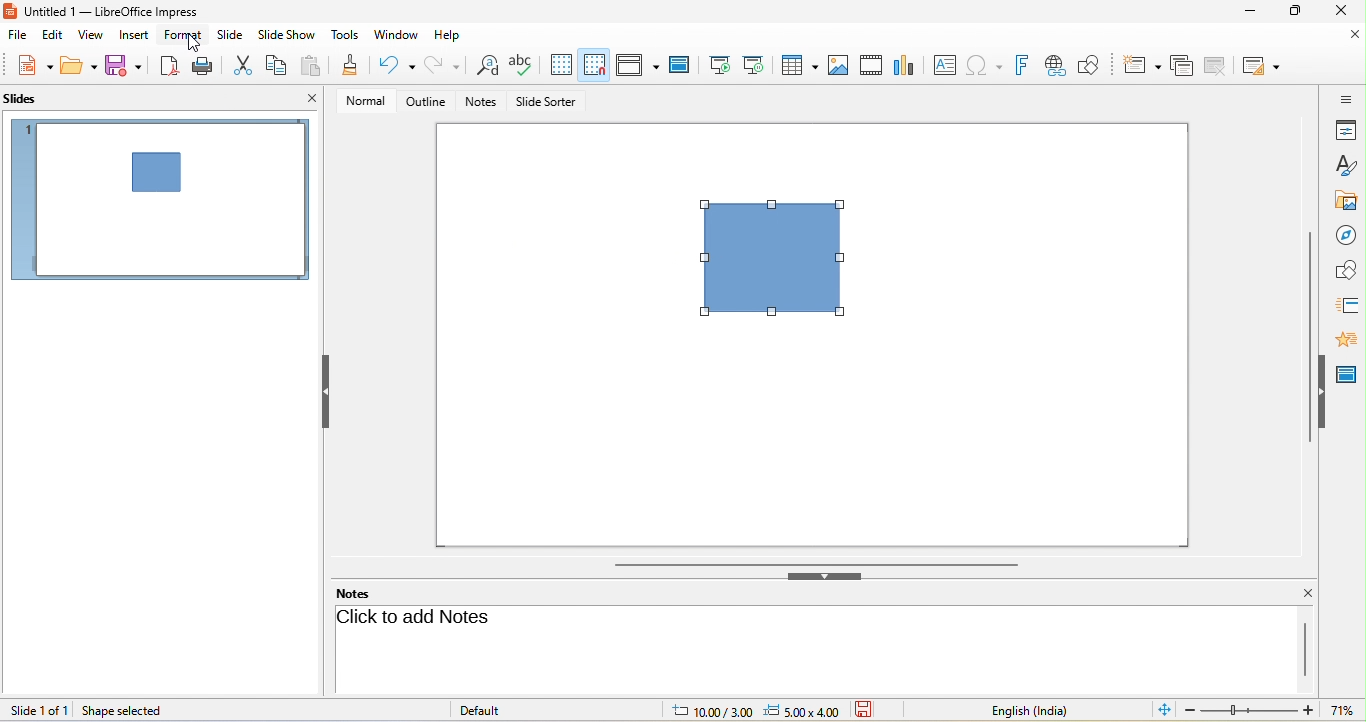 This screenshot has height=722, width=1366. What do you see at coordinates (1342, 198) in the screenshot?
I see `gallery` at bounding box center [1342, 198].